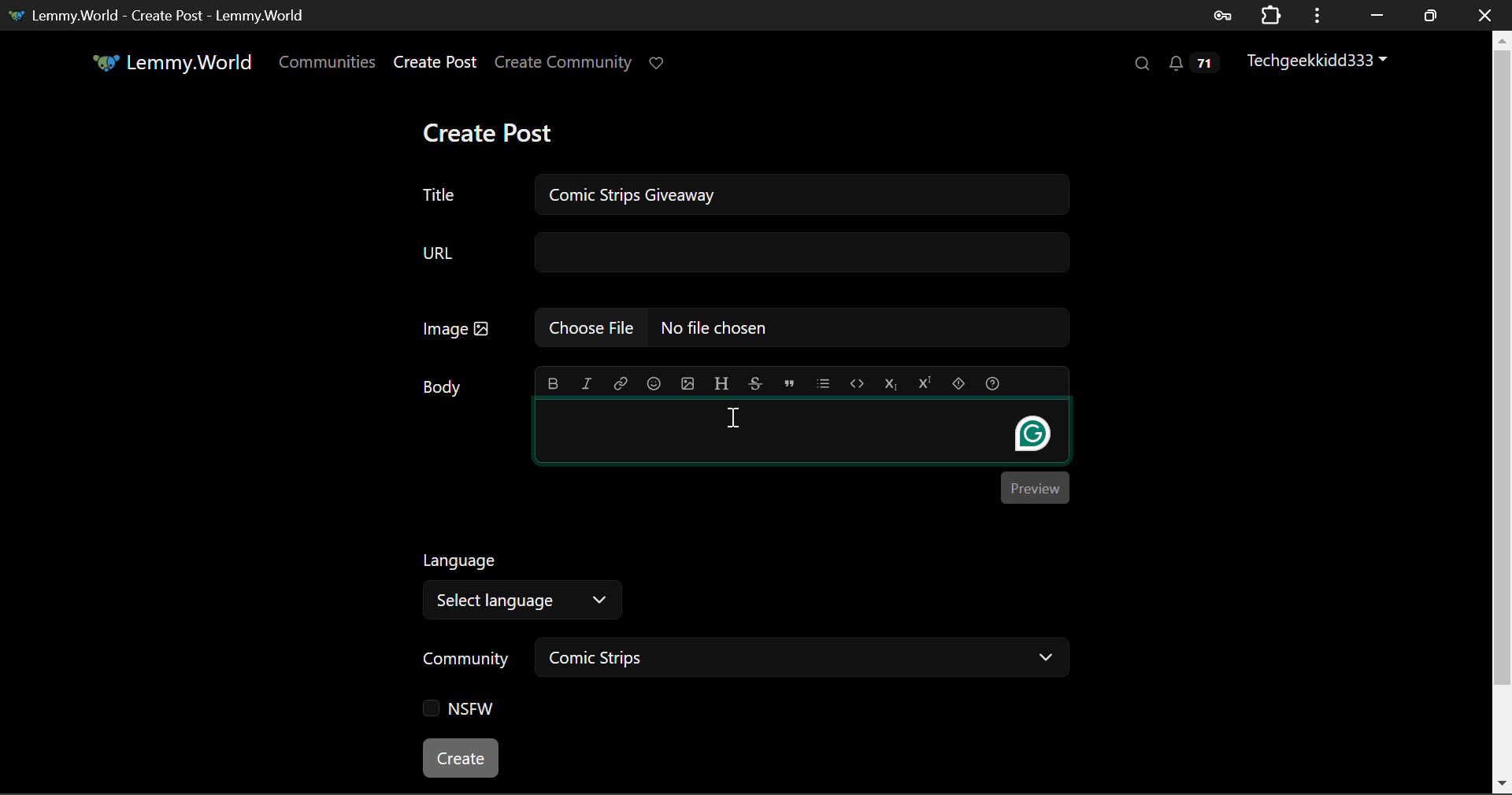 The image size is (1512, 795). What do you see at coordinates (170, 62) in the screenshot?
I see `Lemmy.World` at bounding box center [170, 62].